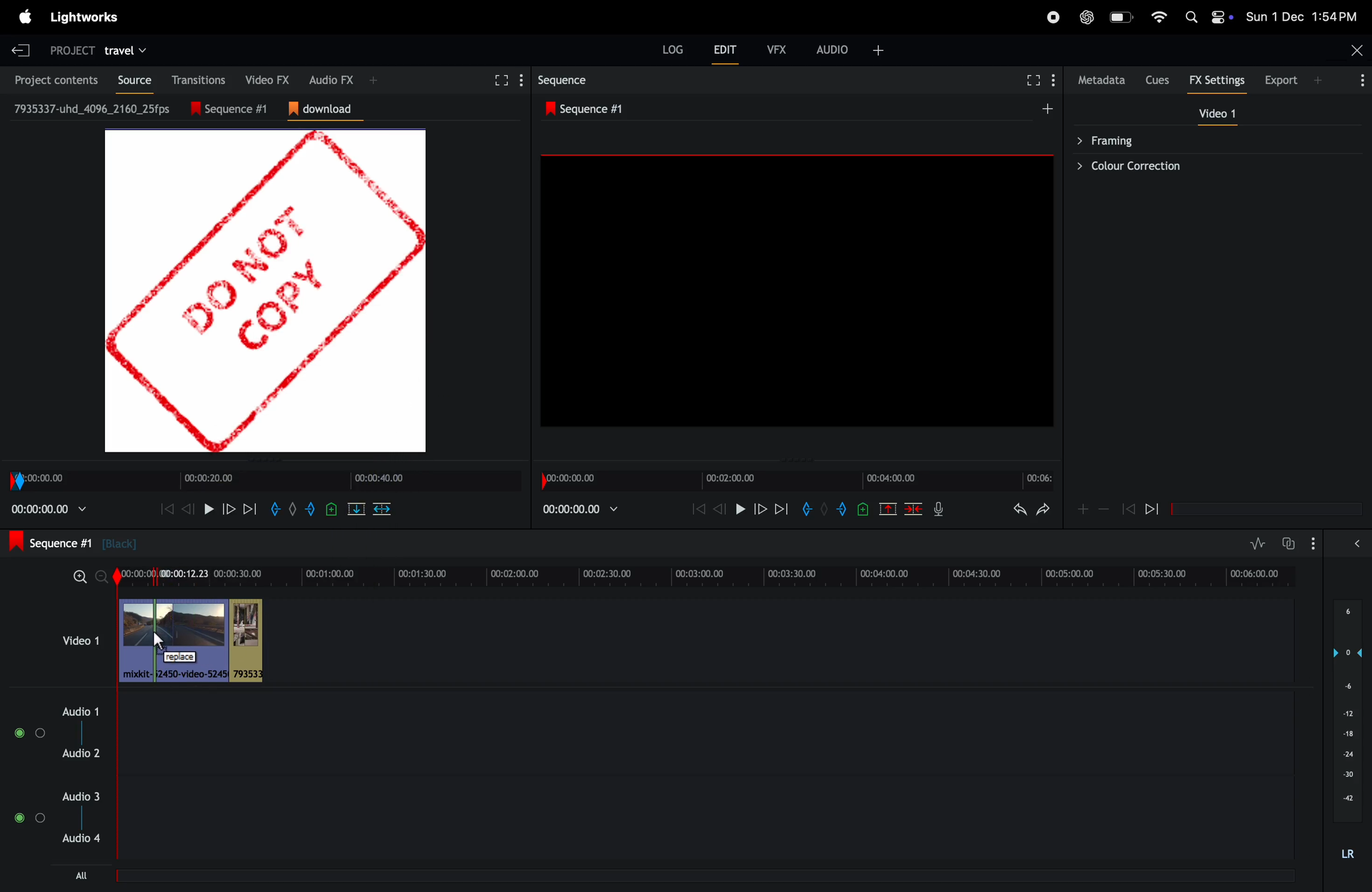  What do you see at coordinates (194, 640) in the screenshot?
I see `video clips` at bounding box center [194, 640].